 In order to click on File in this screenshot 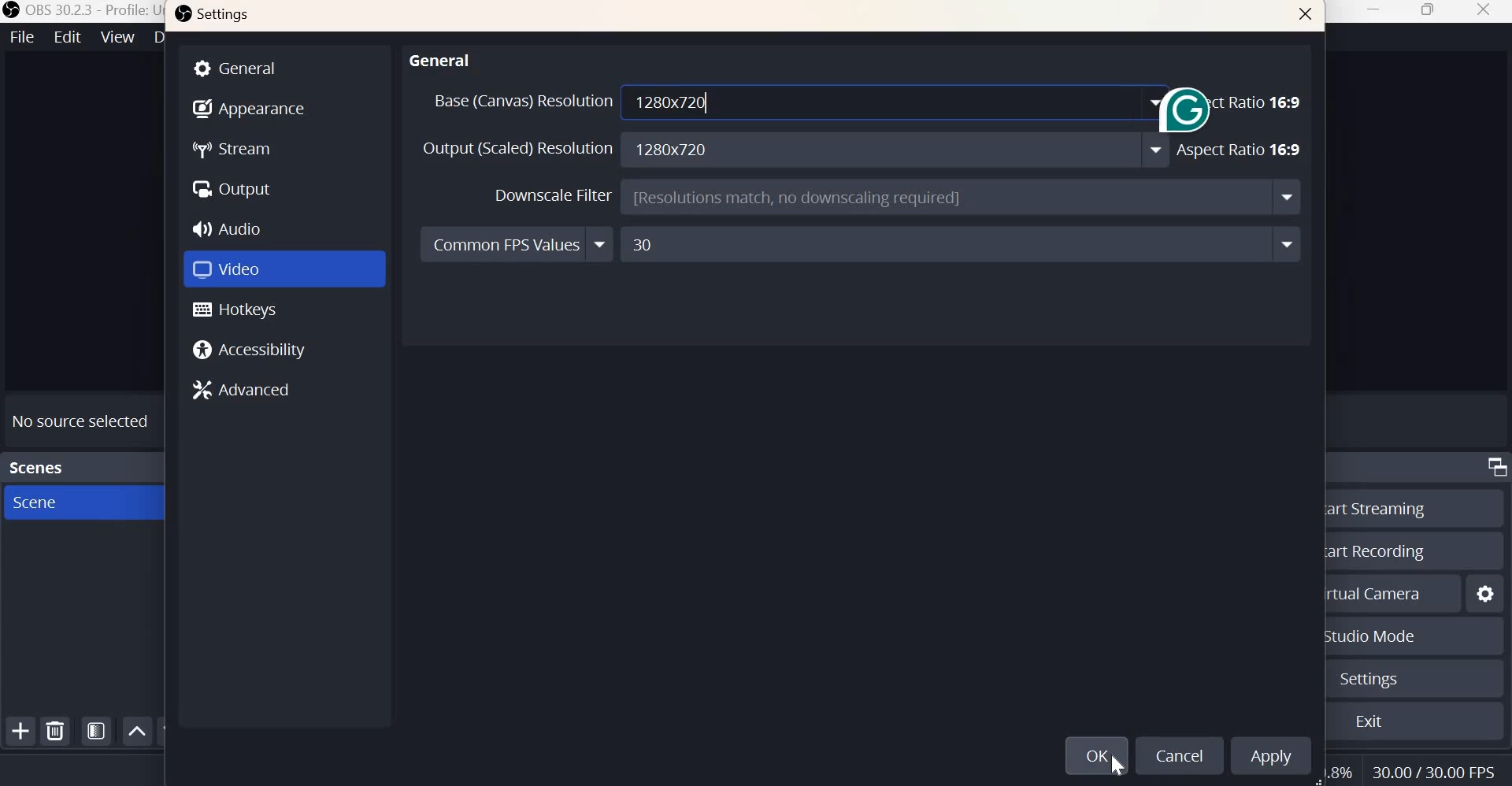, I will do `click(20, 37)`.